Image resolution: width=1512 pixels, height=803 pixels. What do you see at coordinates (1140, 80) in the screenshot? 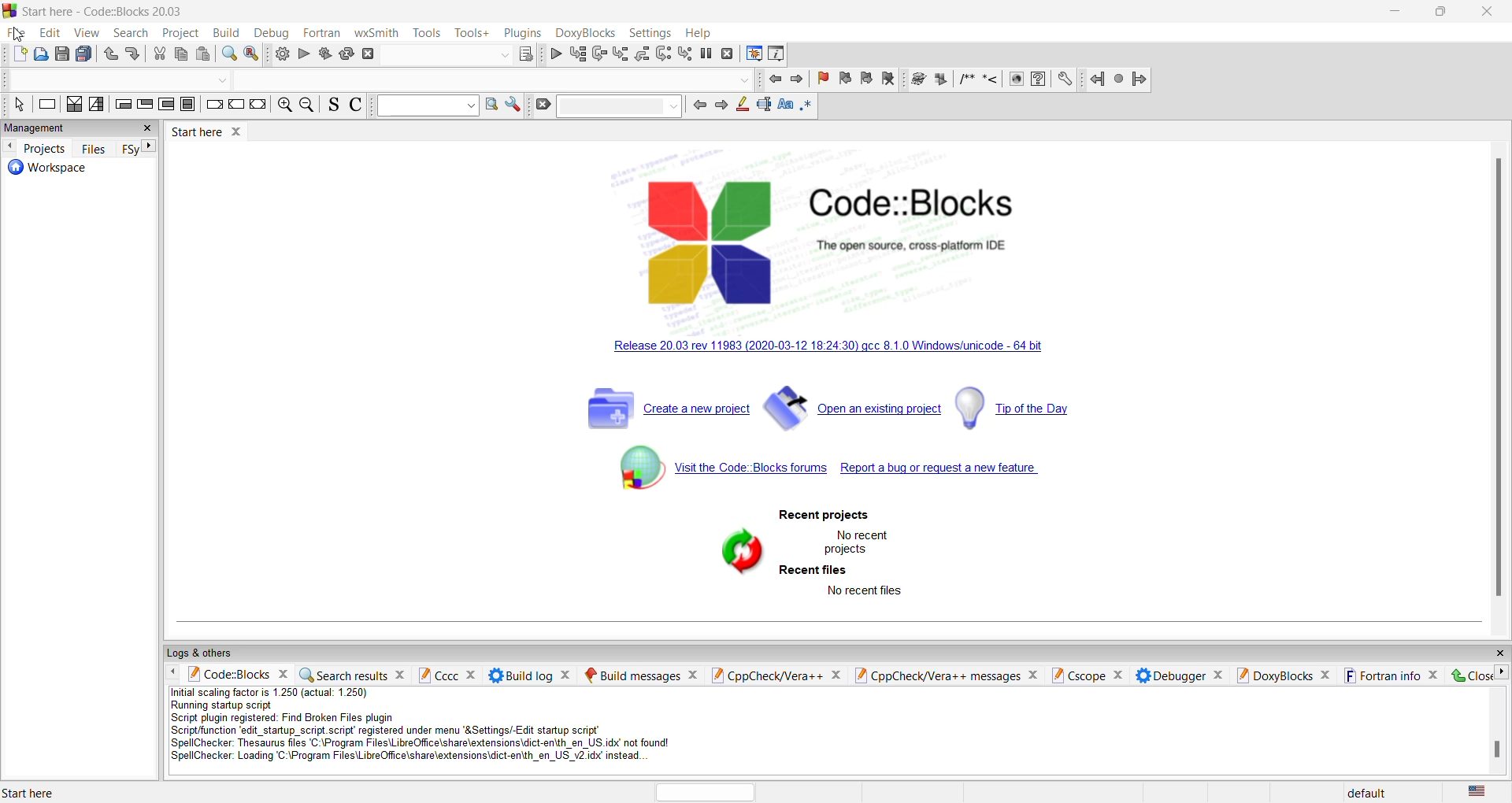
I see `jump forward` at bounding box center [1140, 80].